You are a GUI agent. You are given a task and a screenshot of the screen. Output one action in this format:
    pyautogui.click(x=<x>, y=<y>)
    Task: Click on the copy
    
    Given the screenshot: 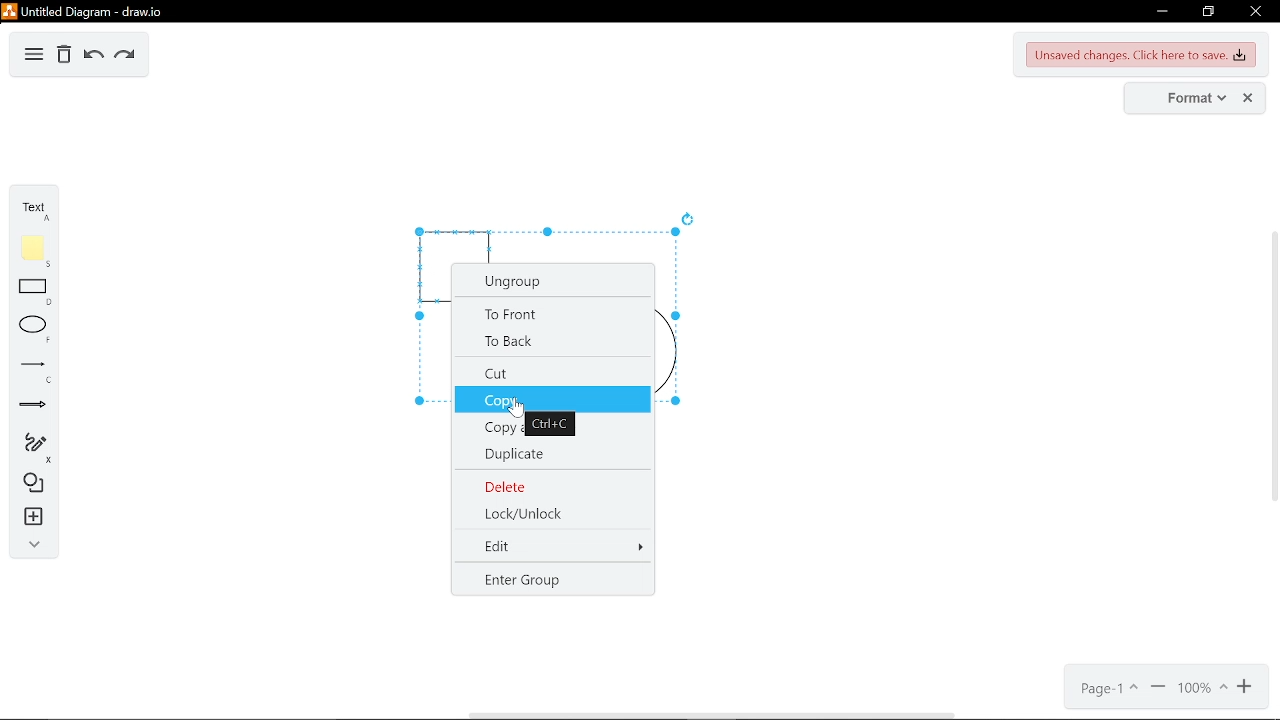 What is the action you would take?
    pyautogui.click(x=558, y=402)
    